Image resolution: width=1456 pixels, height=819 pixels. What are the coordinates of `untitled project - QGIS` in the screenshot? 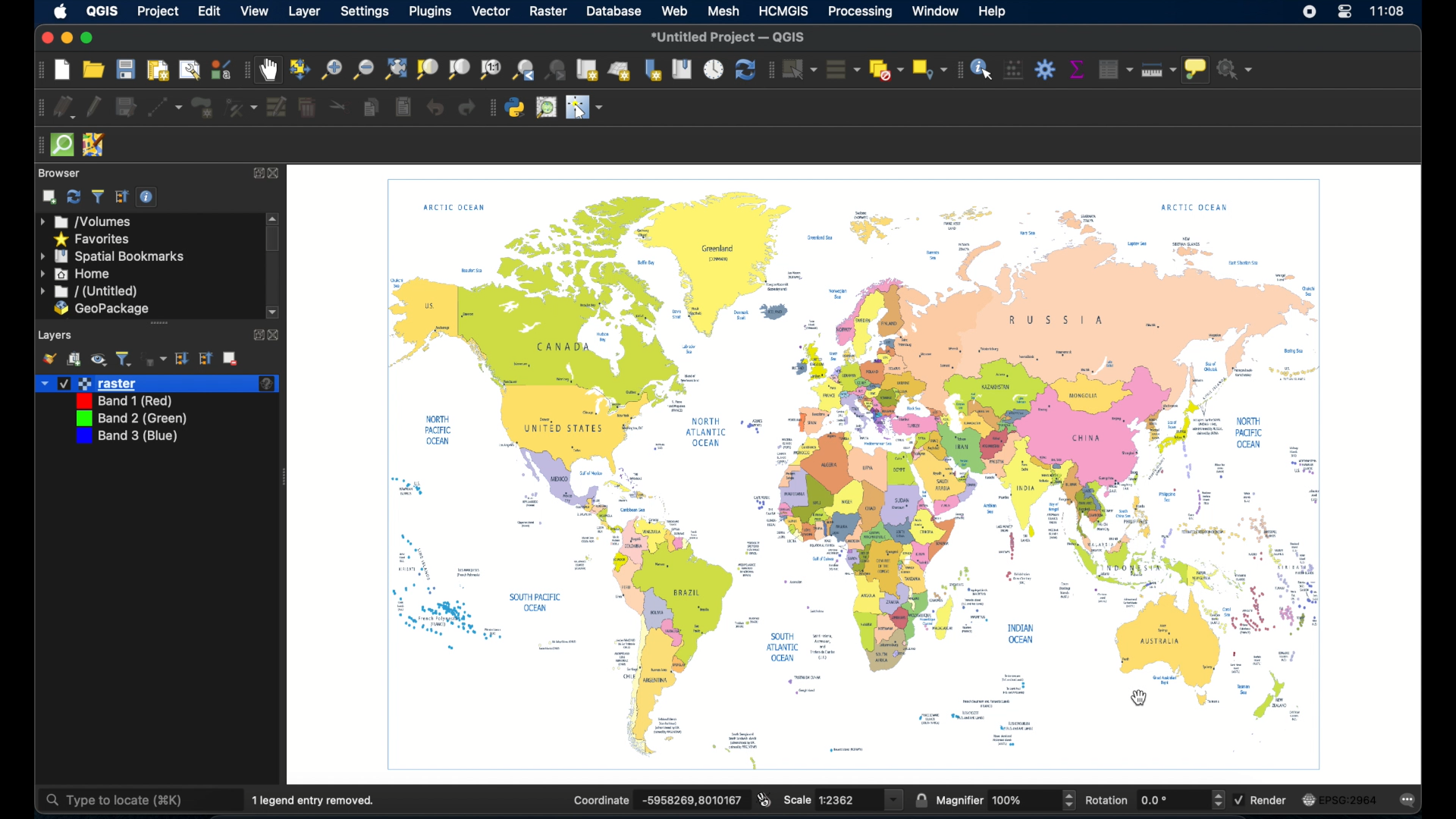 It's located at (732, 36).